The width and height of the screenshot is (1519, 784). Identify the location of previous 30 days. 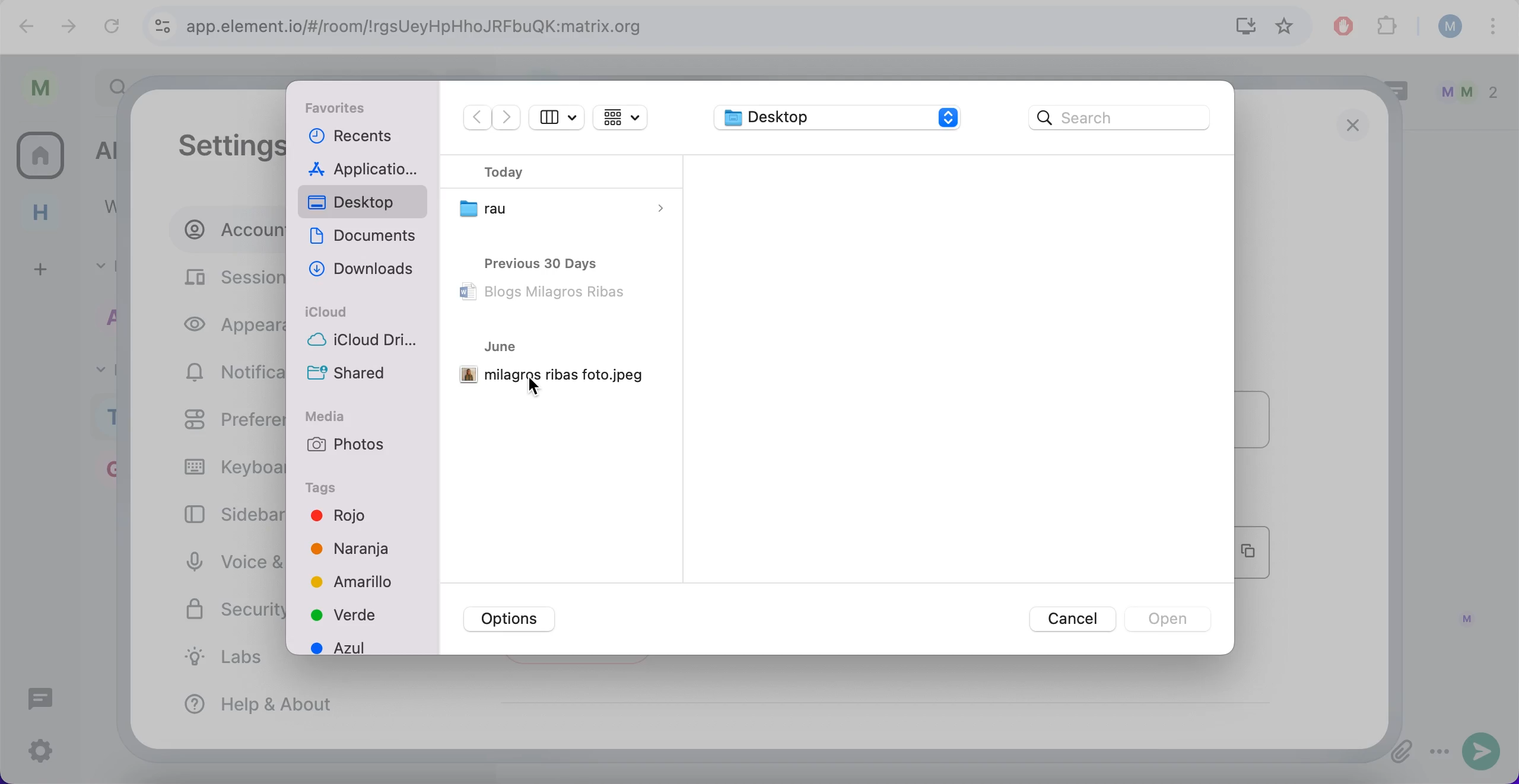
(544, 266).